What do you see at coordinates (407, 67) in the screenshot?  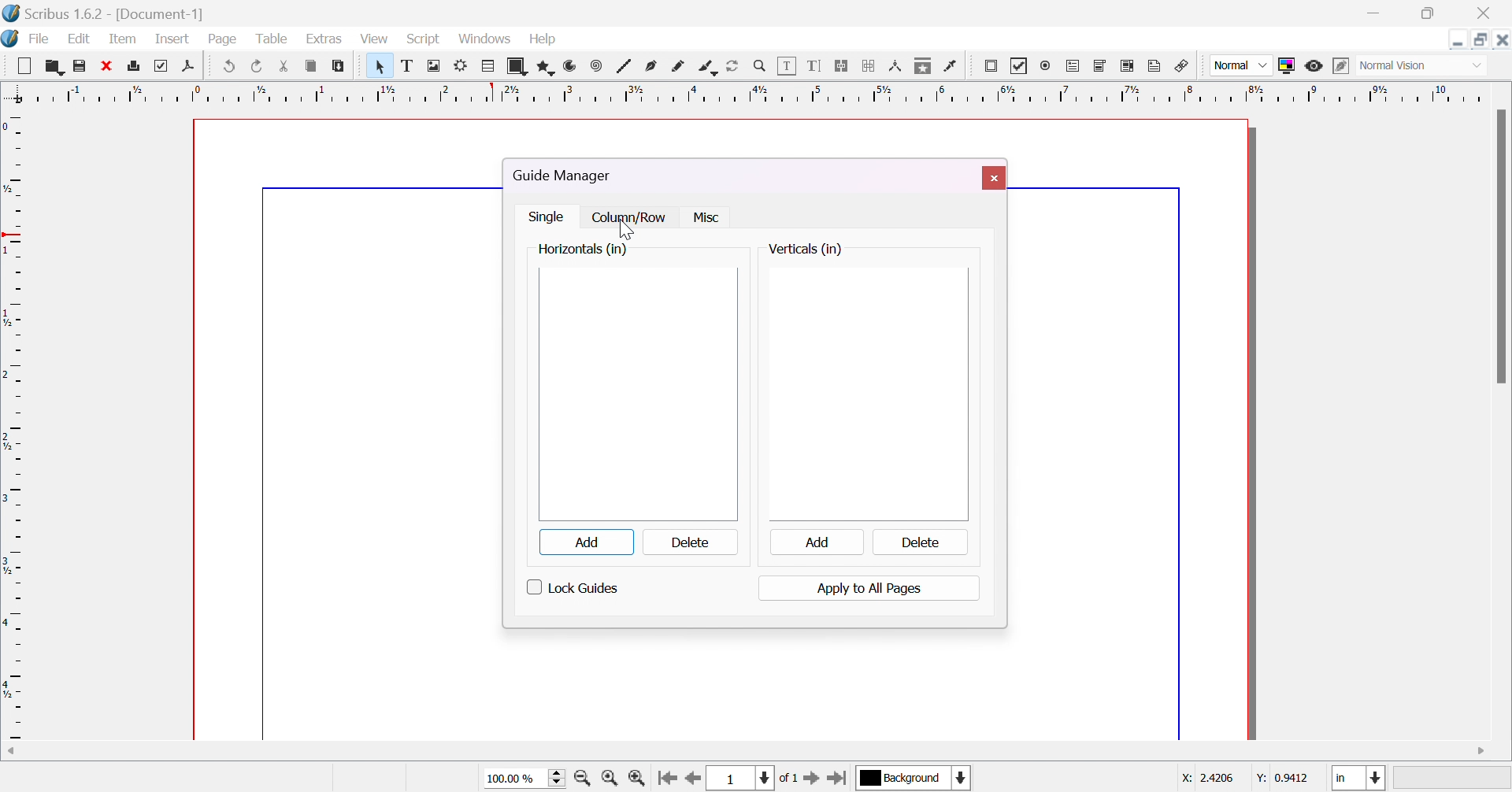 I see `text frame` at bounding box center [407, 67].